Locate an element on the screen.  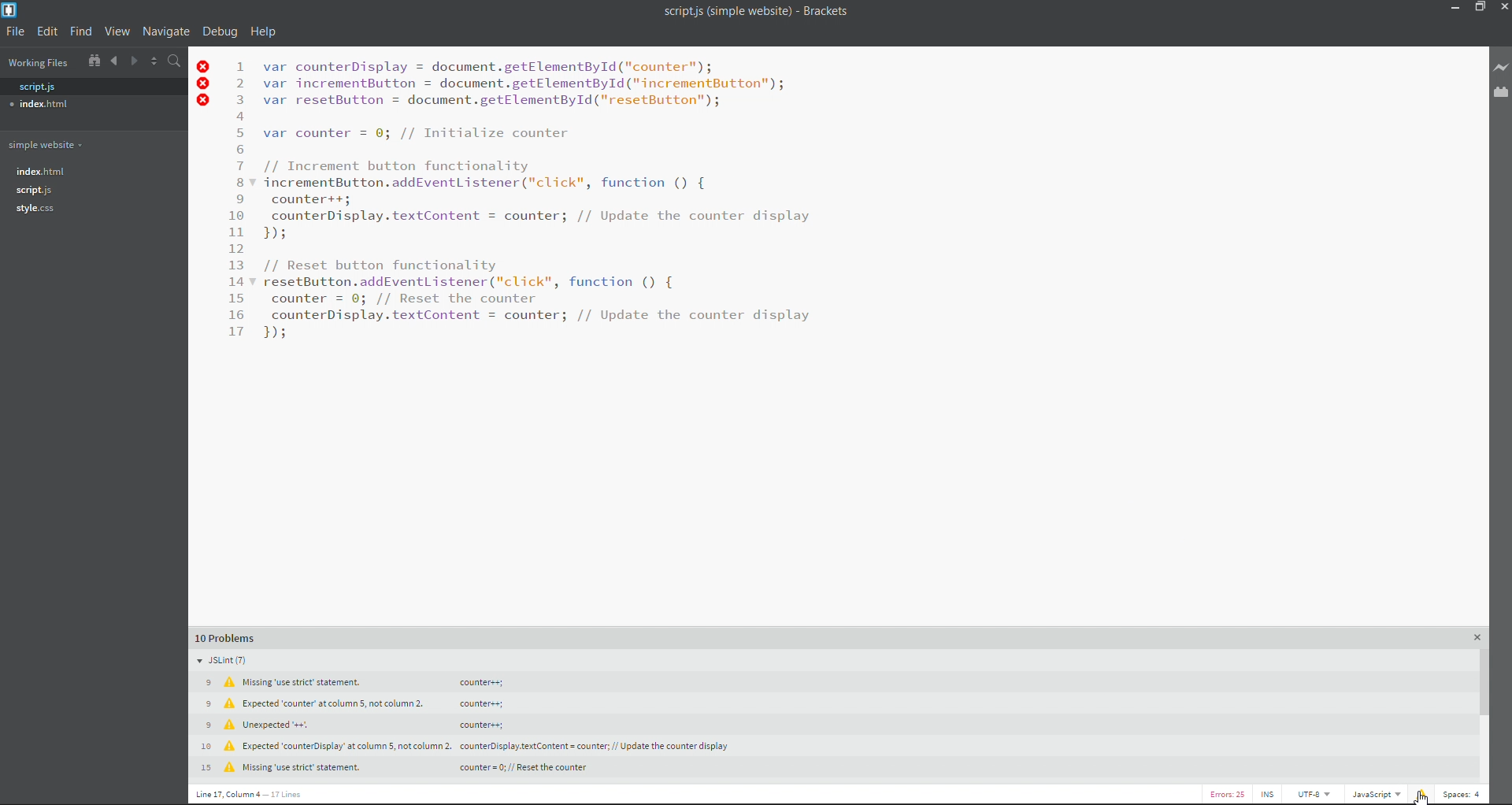
space count is located at coordinates (1462, 793).